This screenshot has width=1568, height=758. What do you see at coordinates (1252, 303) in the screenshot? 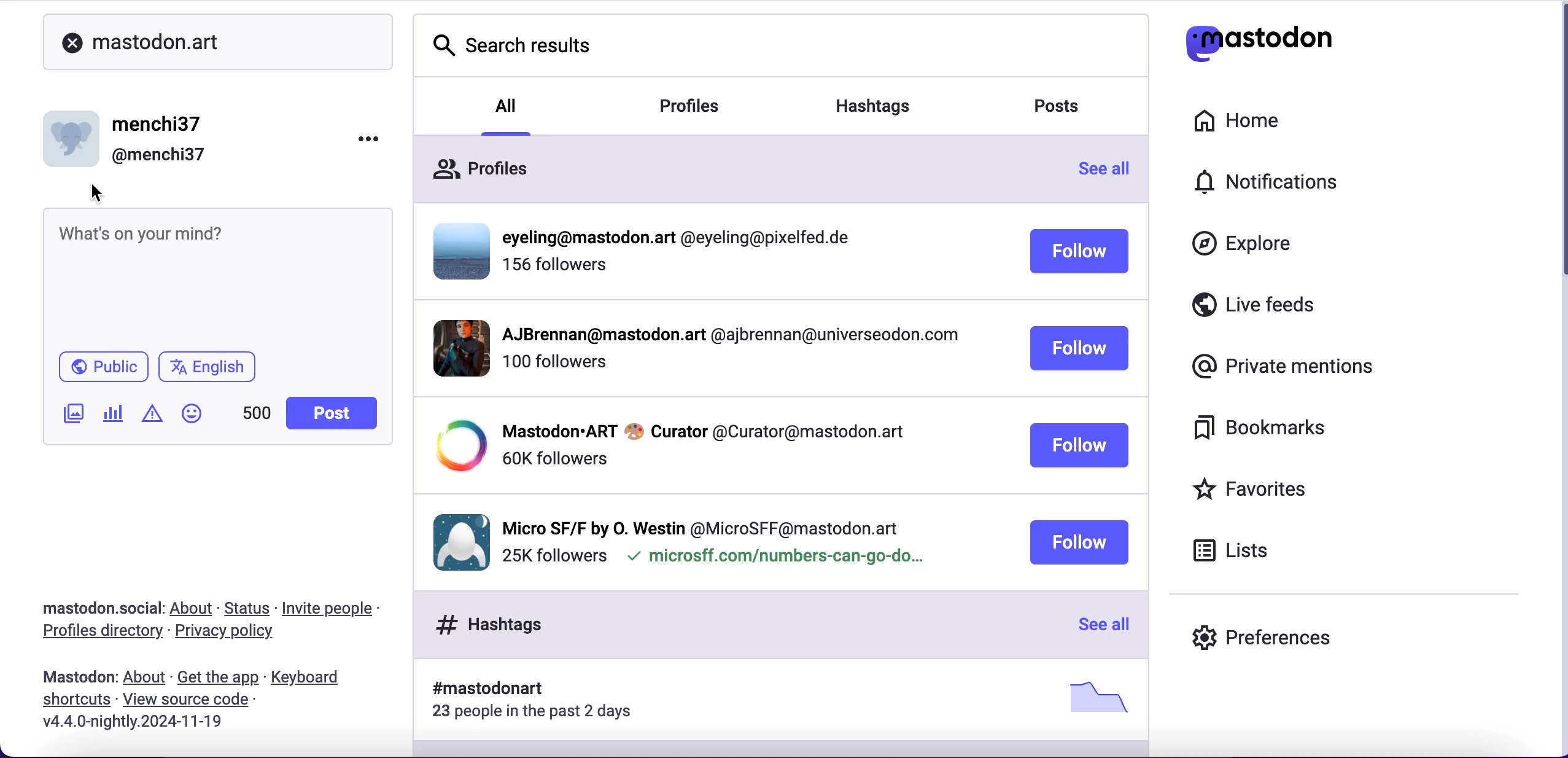
I see `live feeds` at bounding box center [1252, 303].